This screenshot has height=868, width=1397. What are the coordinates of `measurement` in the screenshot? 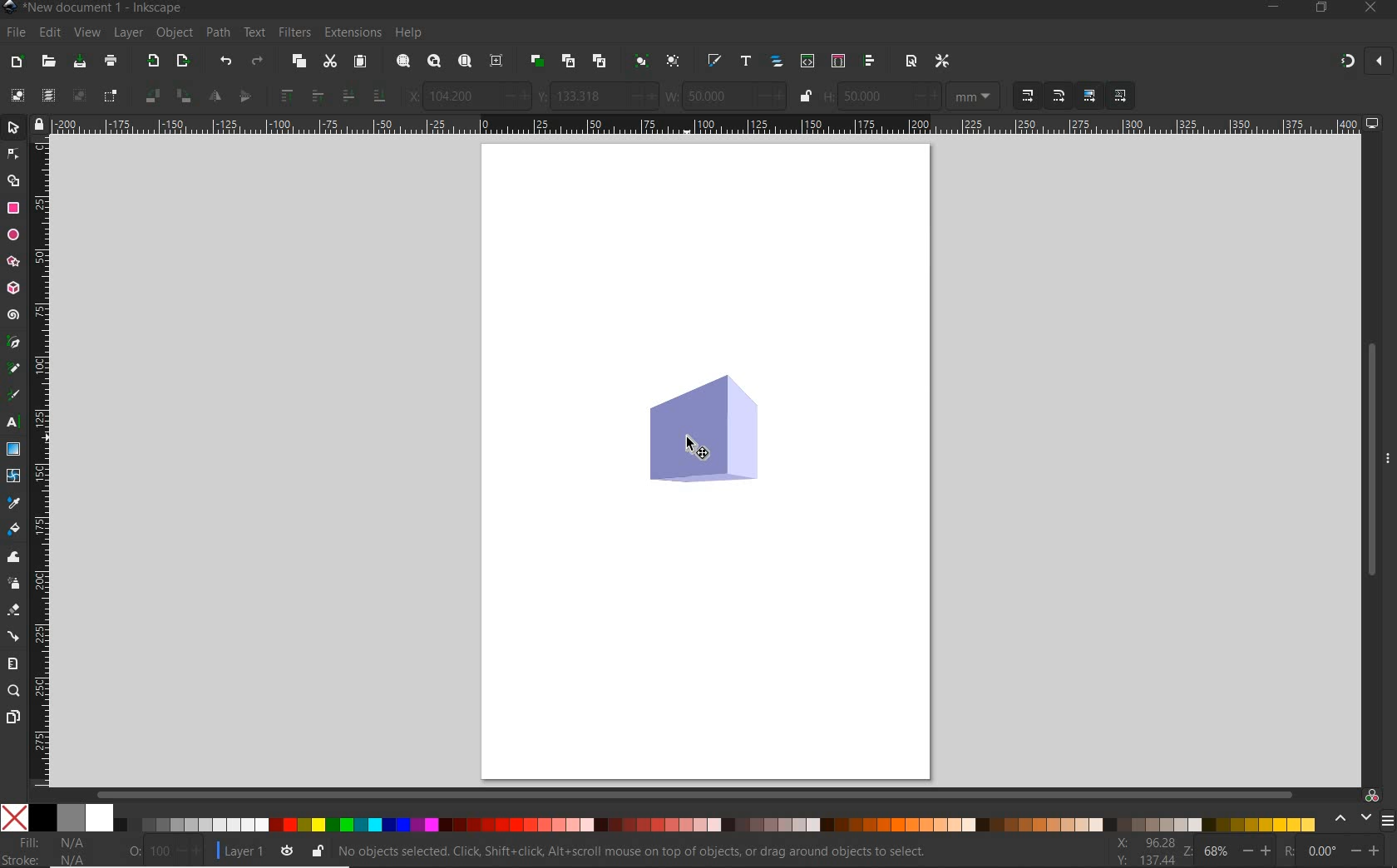 It's located at (975, 97).